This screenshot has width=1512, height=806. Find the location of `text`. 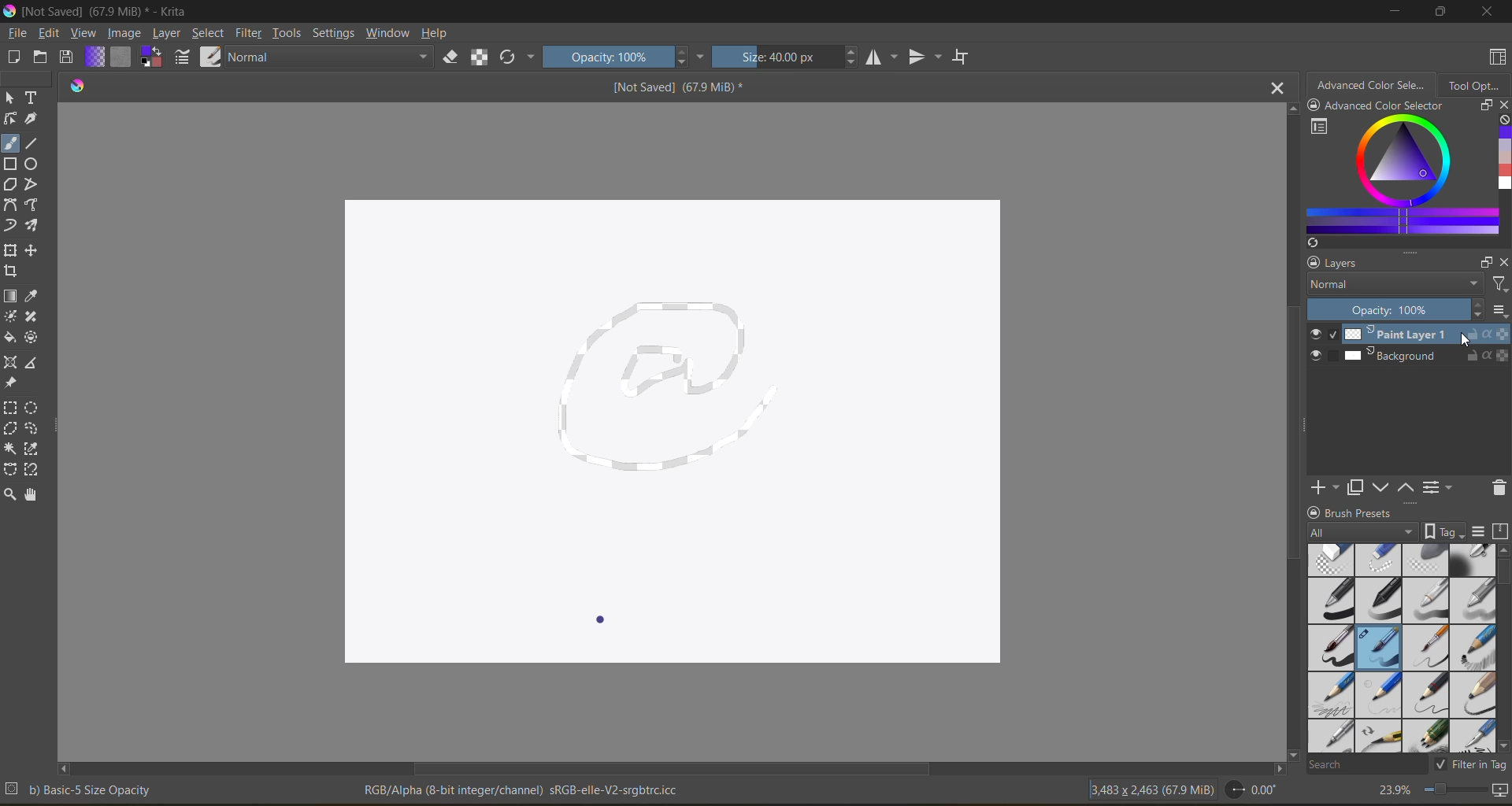

text is located at coordinates (33, 98).